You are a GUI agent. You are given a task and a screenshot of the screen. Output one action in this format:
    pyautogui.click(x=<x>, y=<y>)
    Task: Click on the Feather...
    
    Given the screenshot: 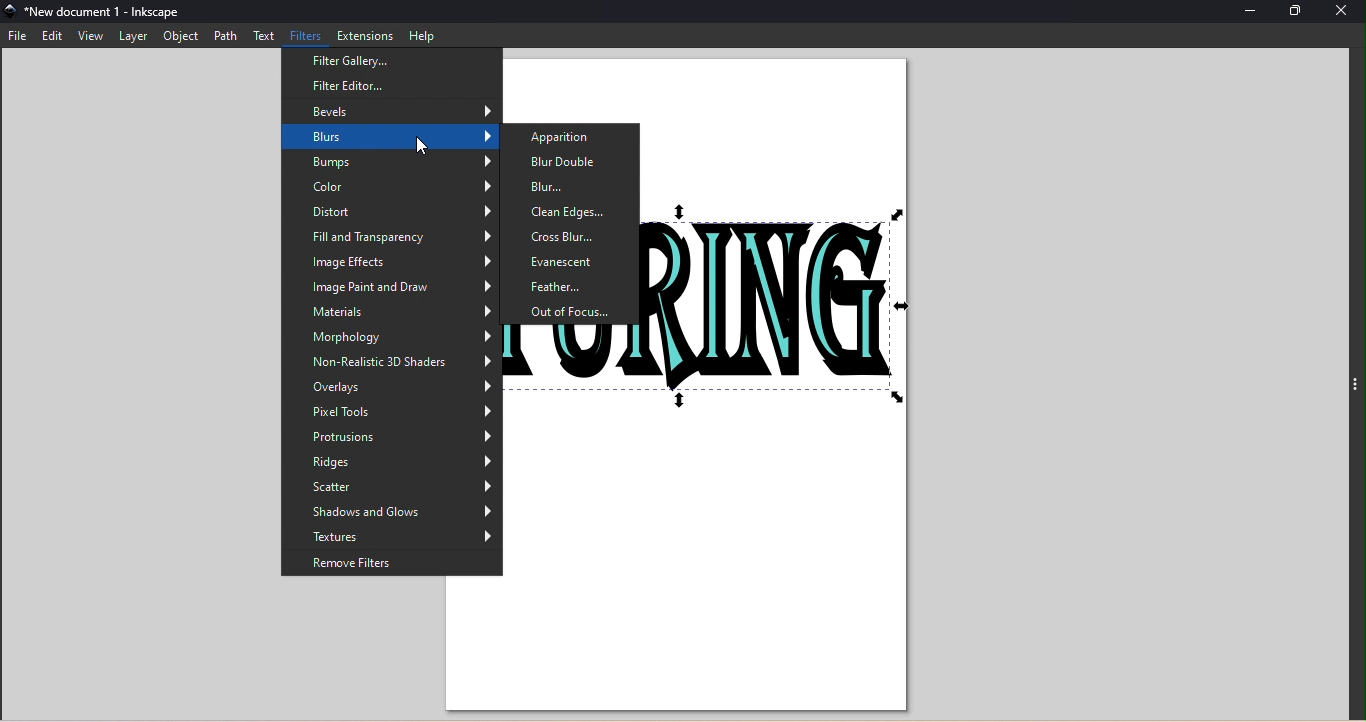 What is the action you would take?
    pyautogui.click(x=573, y=287)
    